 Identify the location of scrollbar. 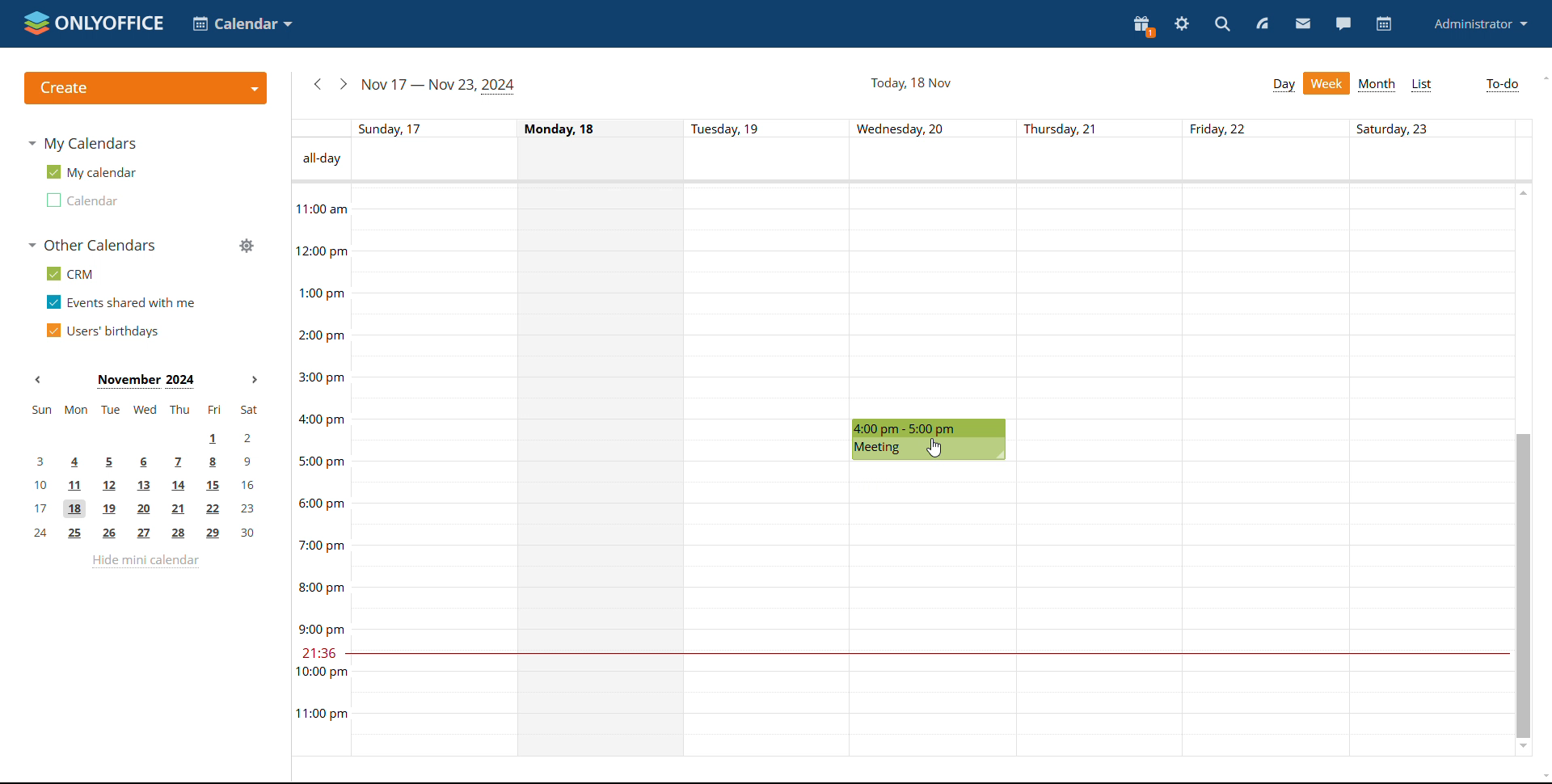
(1522, 585).